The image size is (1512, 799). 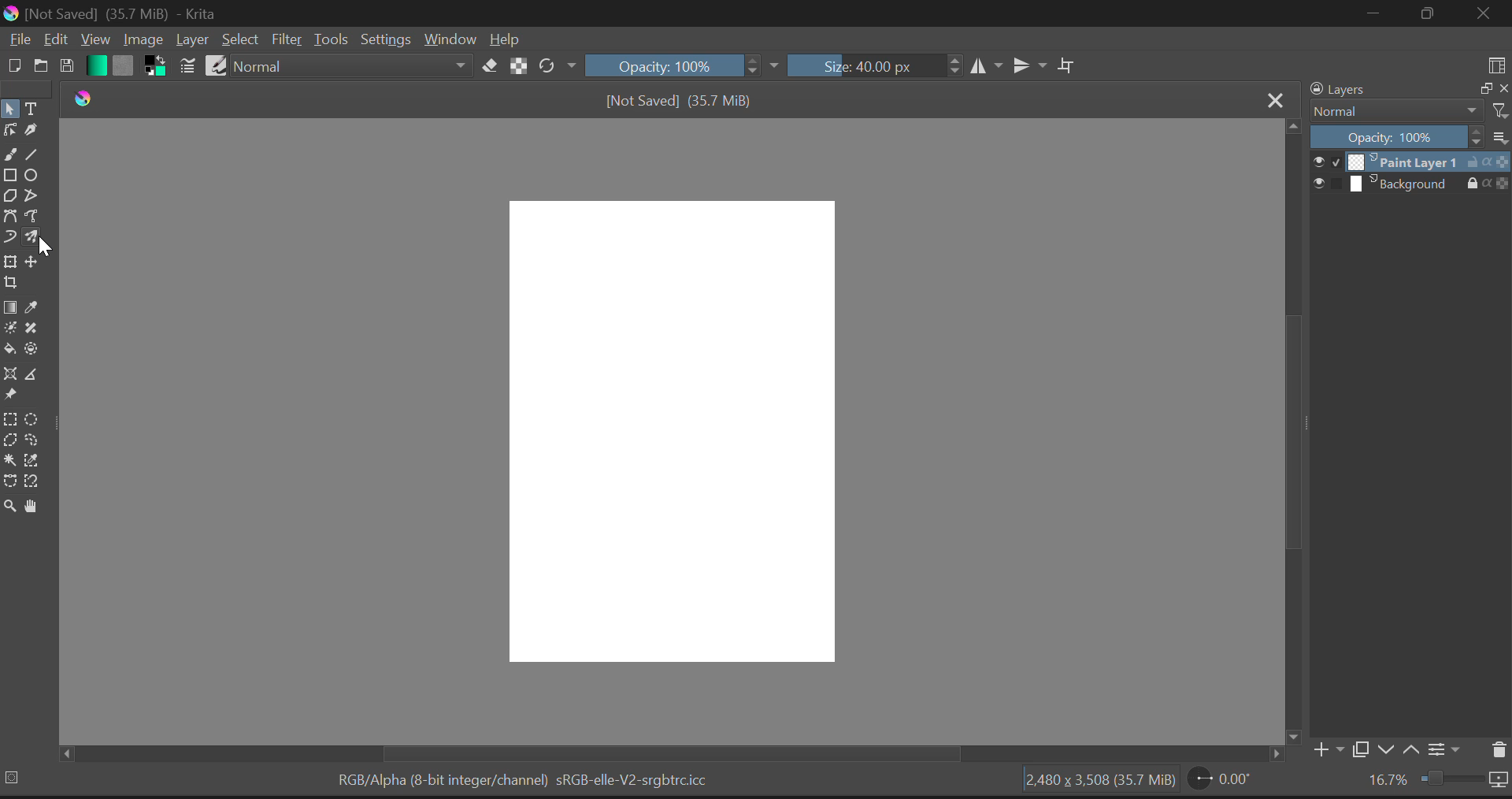 What do you see at coordinates (1484, 15) in the screenshot?
I see `Close` at bounding box center [1484, 15].